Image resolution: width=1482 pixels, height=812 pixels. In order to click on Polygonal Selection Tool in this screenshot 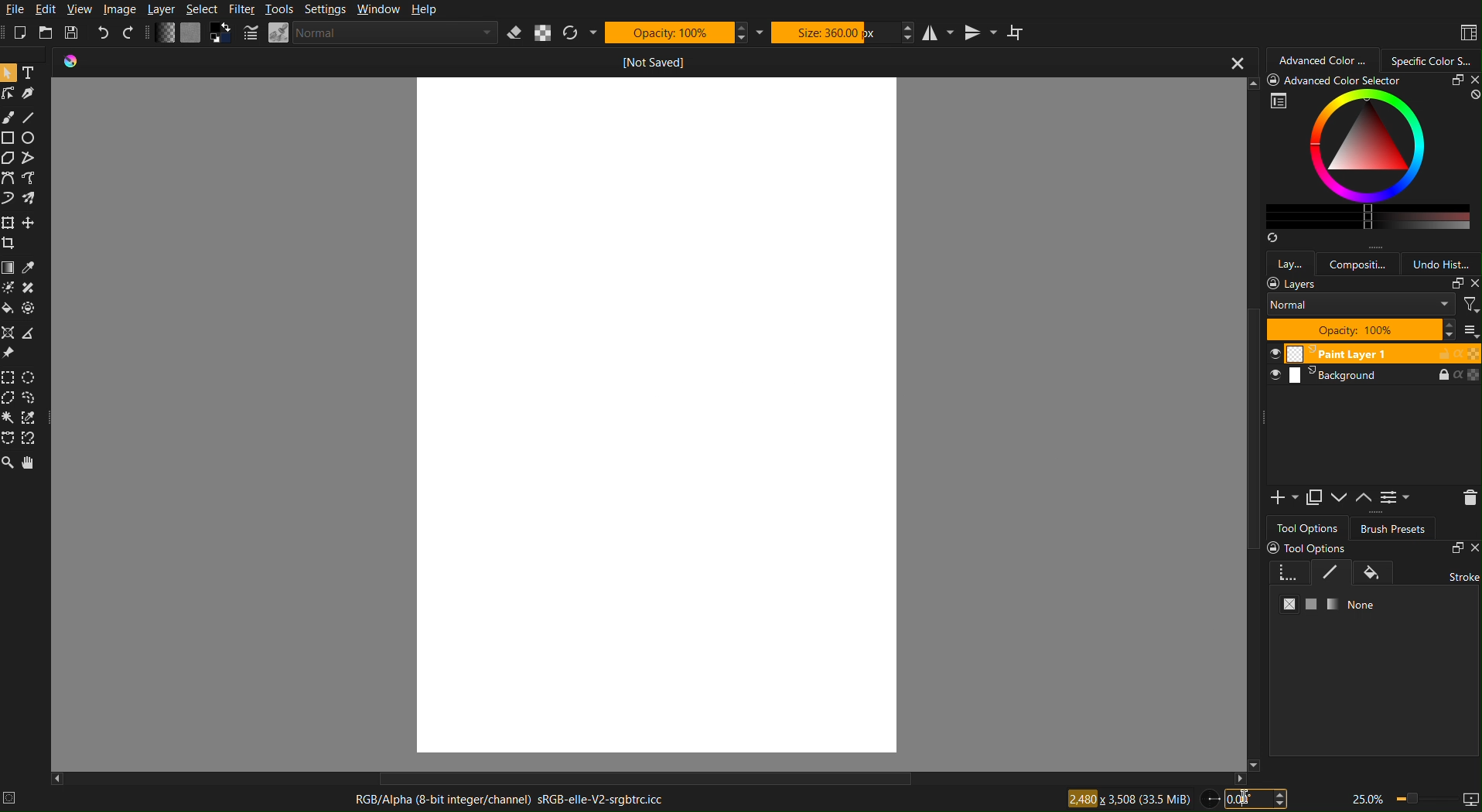, I will do `click(9, 158)`.